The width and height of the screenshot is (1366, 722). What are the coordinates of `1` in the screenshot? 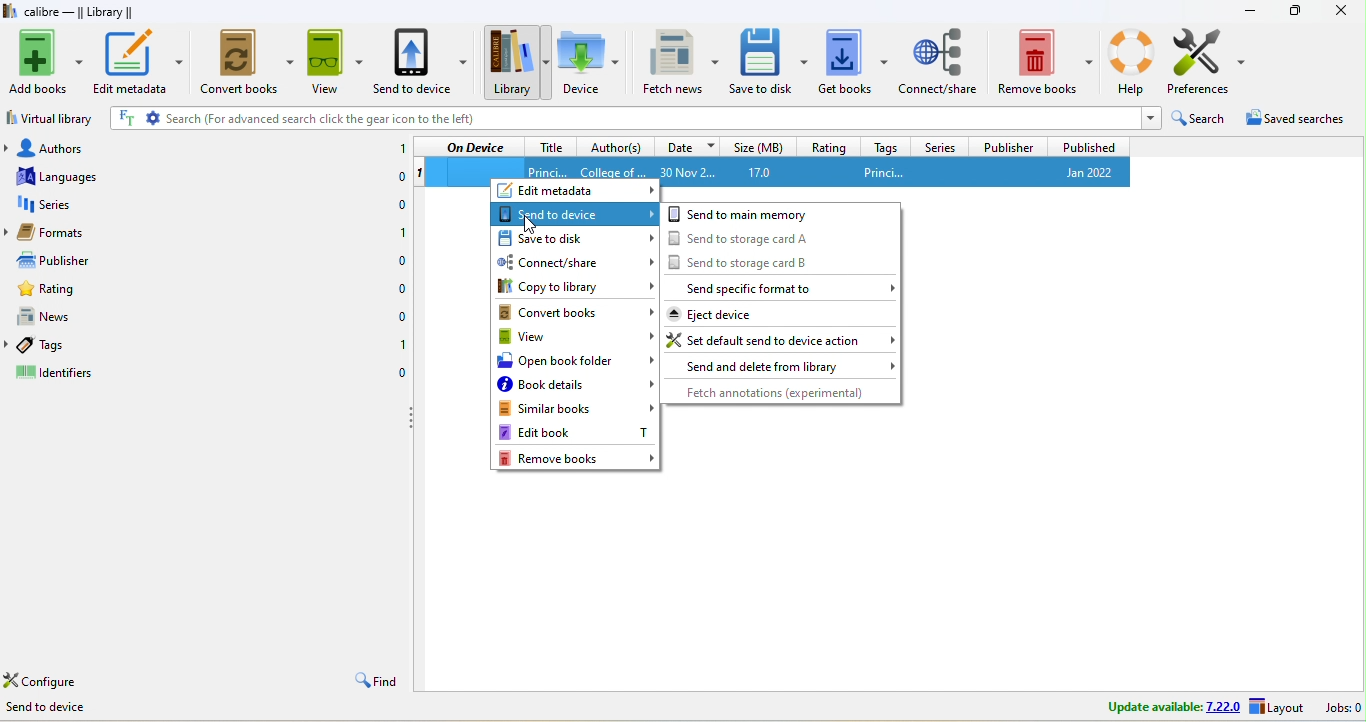 It's located at (398, 232).